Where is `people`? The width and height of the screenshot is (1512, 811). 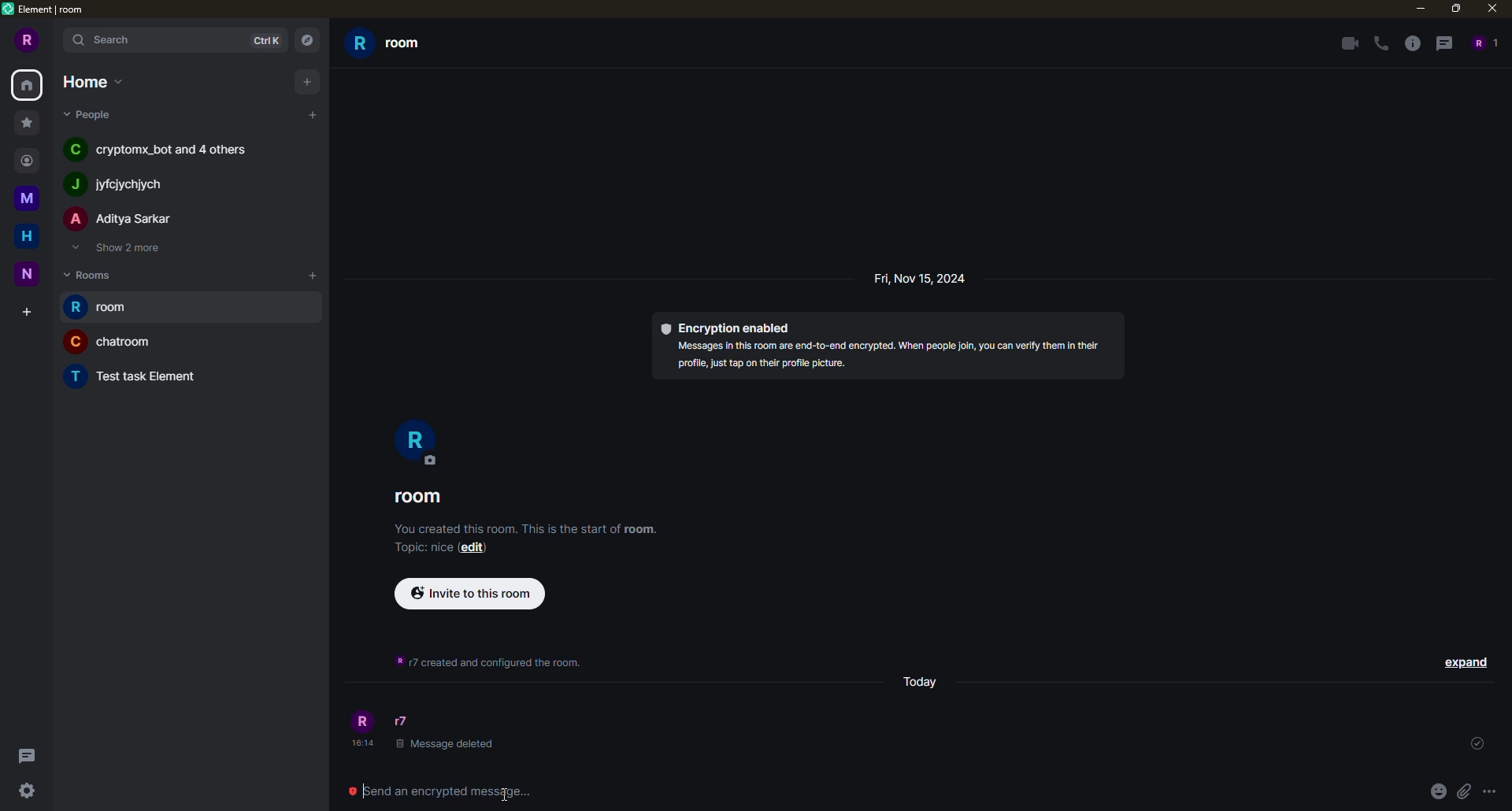
people is located at coordinates (161, 149).